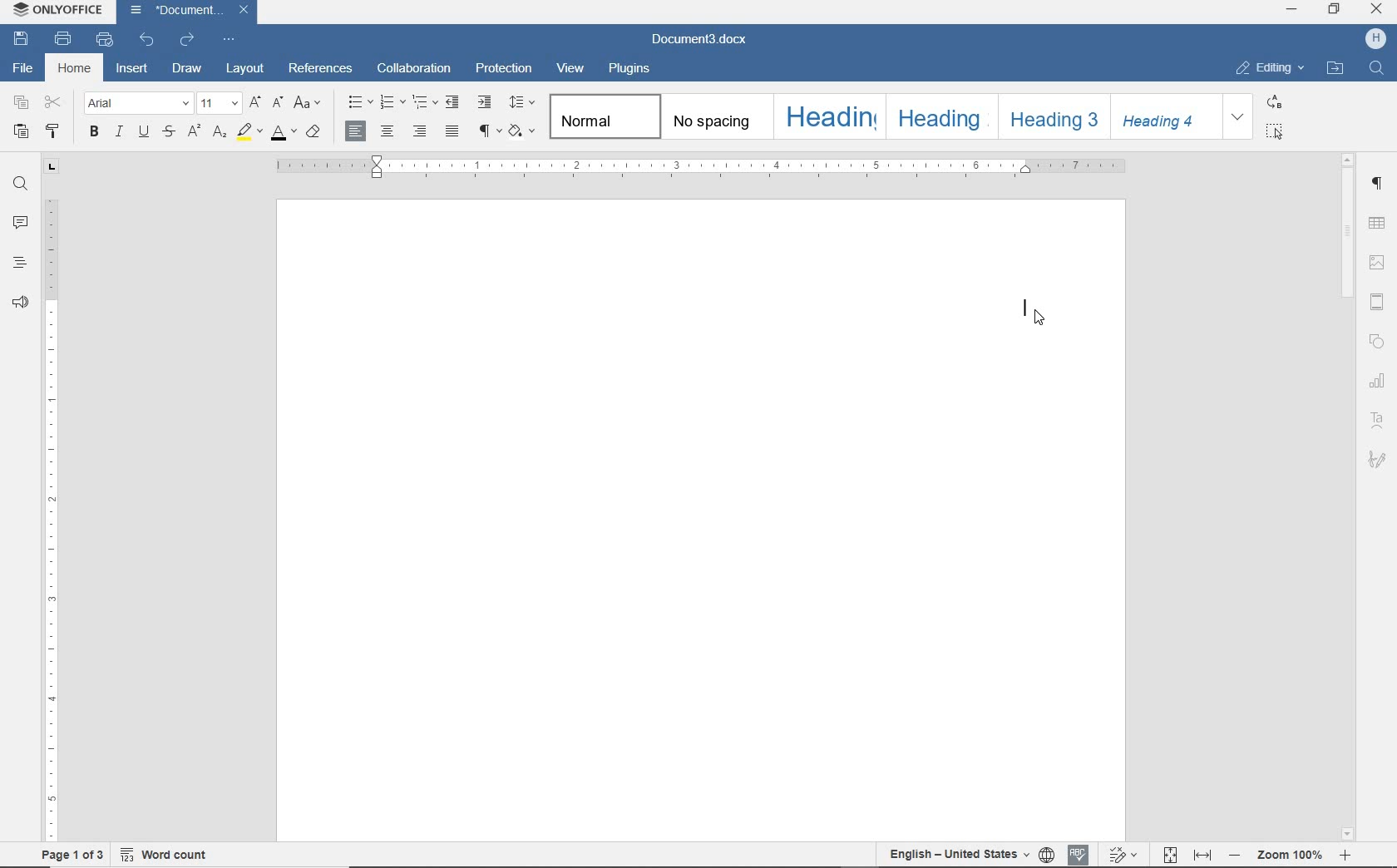 The width and height of the screenshot is (1397, 868). I want to click on BULLETS, so click(359, 102).